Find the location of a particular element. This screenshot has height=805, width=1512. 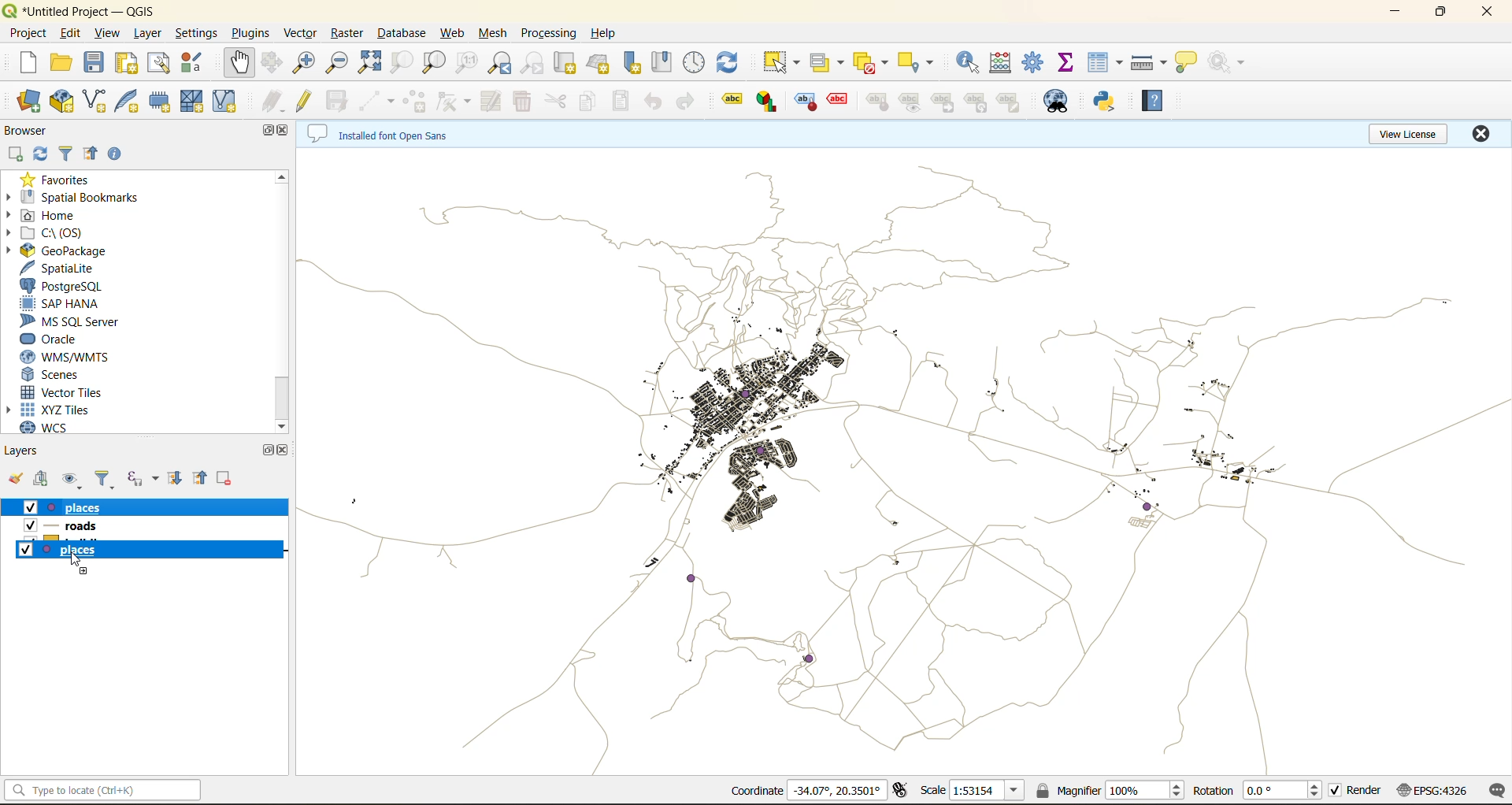

show spatial bookmark is located at coordinates (665, 63).